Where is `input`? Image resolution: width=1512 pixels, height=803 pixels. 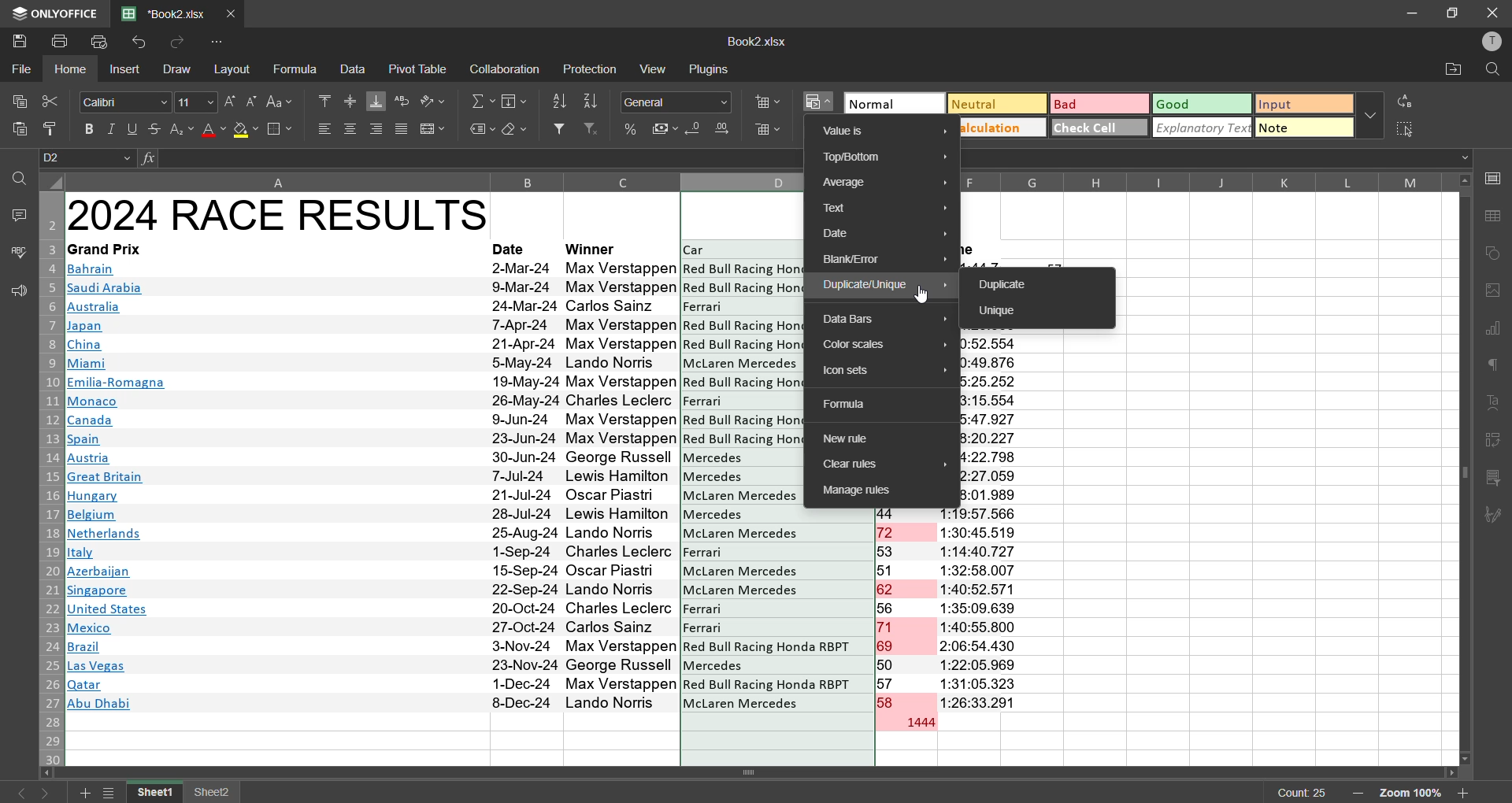
input is located at coordinates (1304, 105).